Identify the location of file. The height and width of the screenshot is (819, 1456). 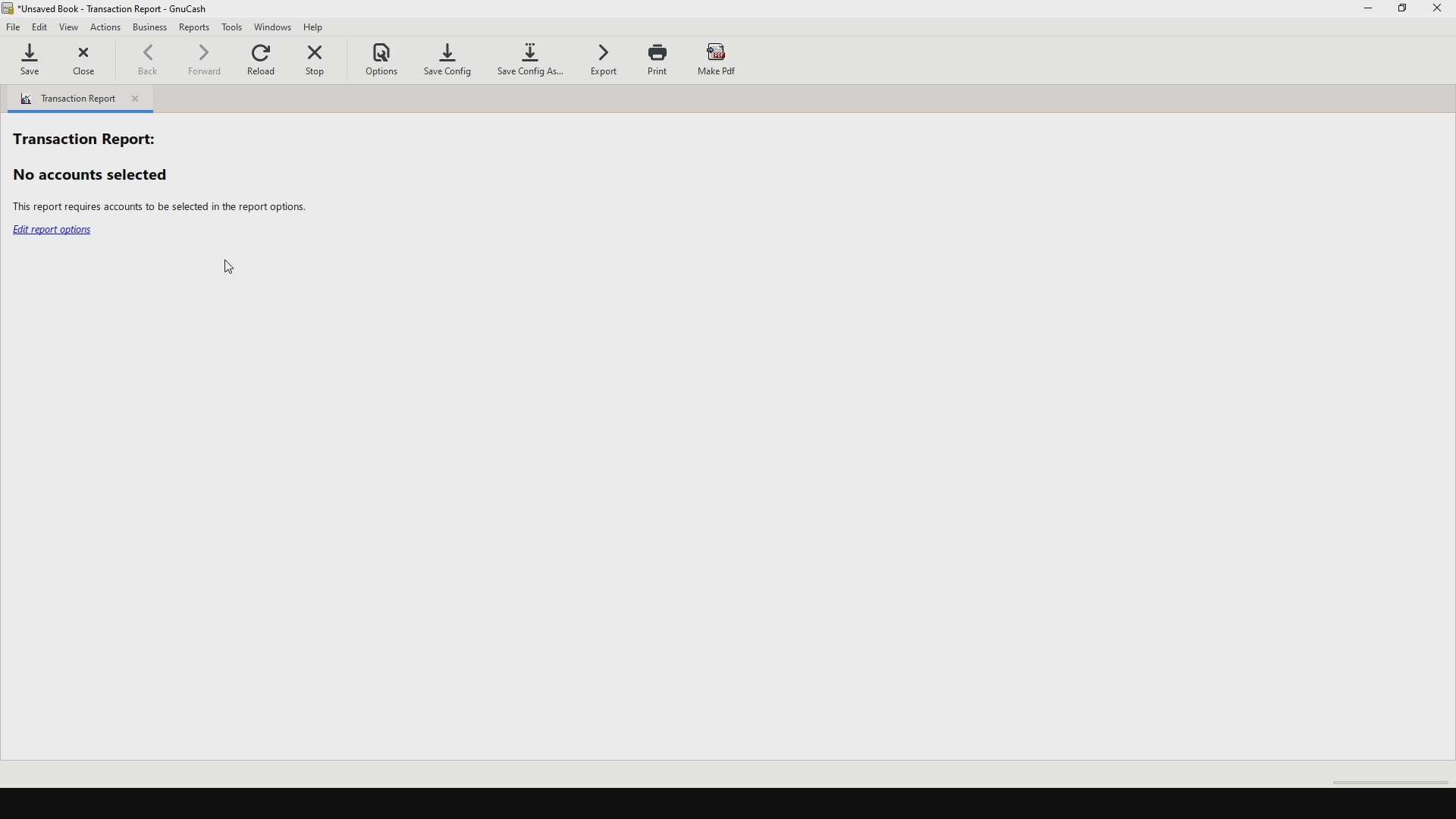
(14, 30).